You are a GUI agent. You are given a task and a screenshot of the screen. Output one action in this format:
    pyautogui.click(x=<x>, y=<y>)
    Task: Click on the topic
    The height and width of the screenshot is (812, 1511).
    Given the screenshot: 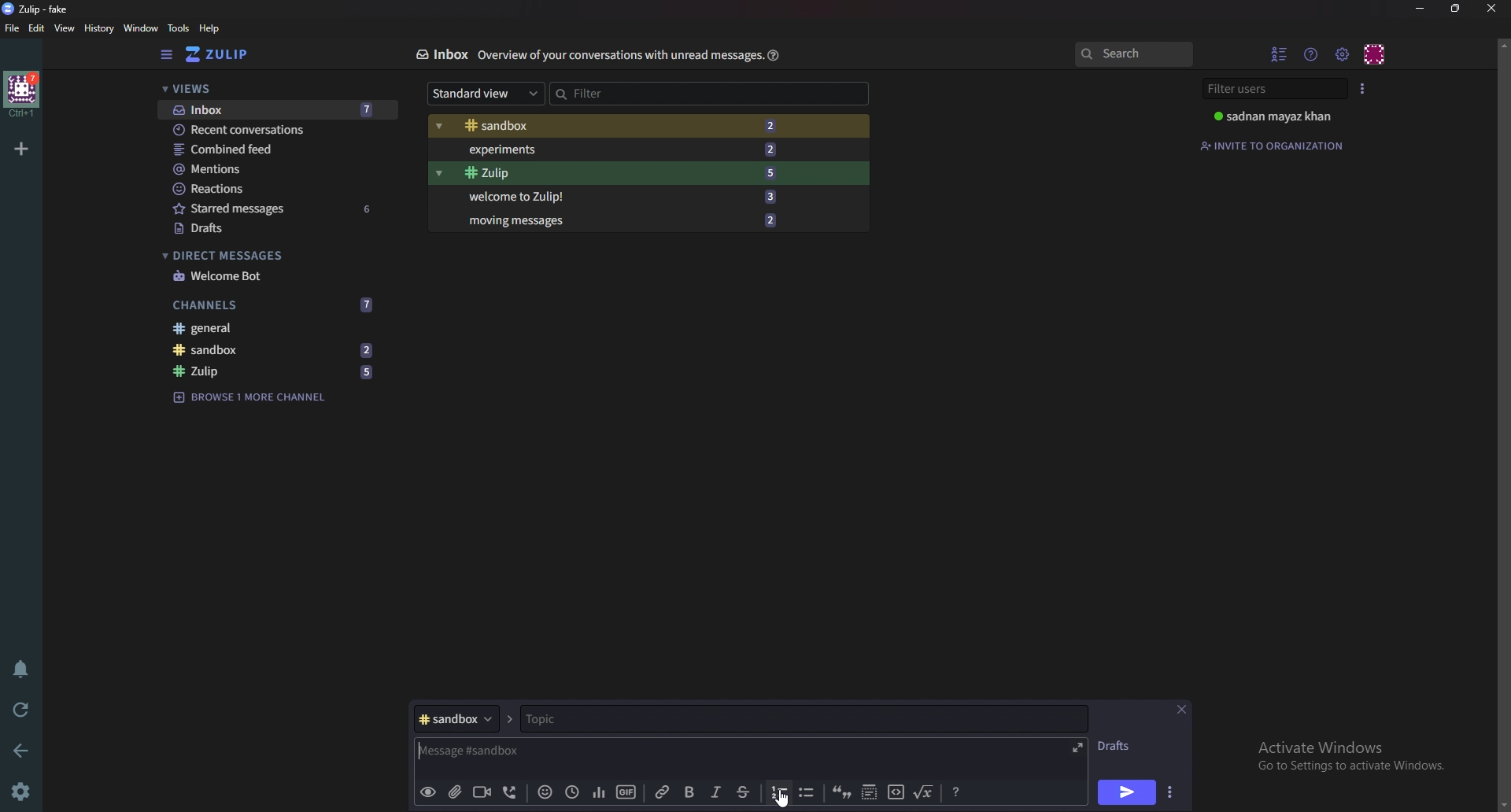 What is the action you would take?
    pyautogui.click(x=597, y=719)
    